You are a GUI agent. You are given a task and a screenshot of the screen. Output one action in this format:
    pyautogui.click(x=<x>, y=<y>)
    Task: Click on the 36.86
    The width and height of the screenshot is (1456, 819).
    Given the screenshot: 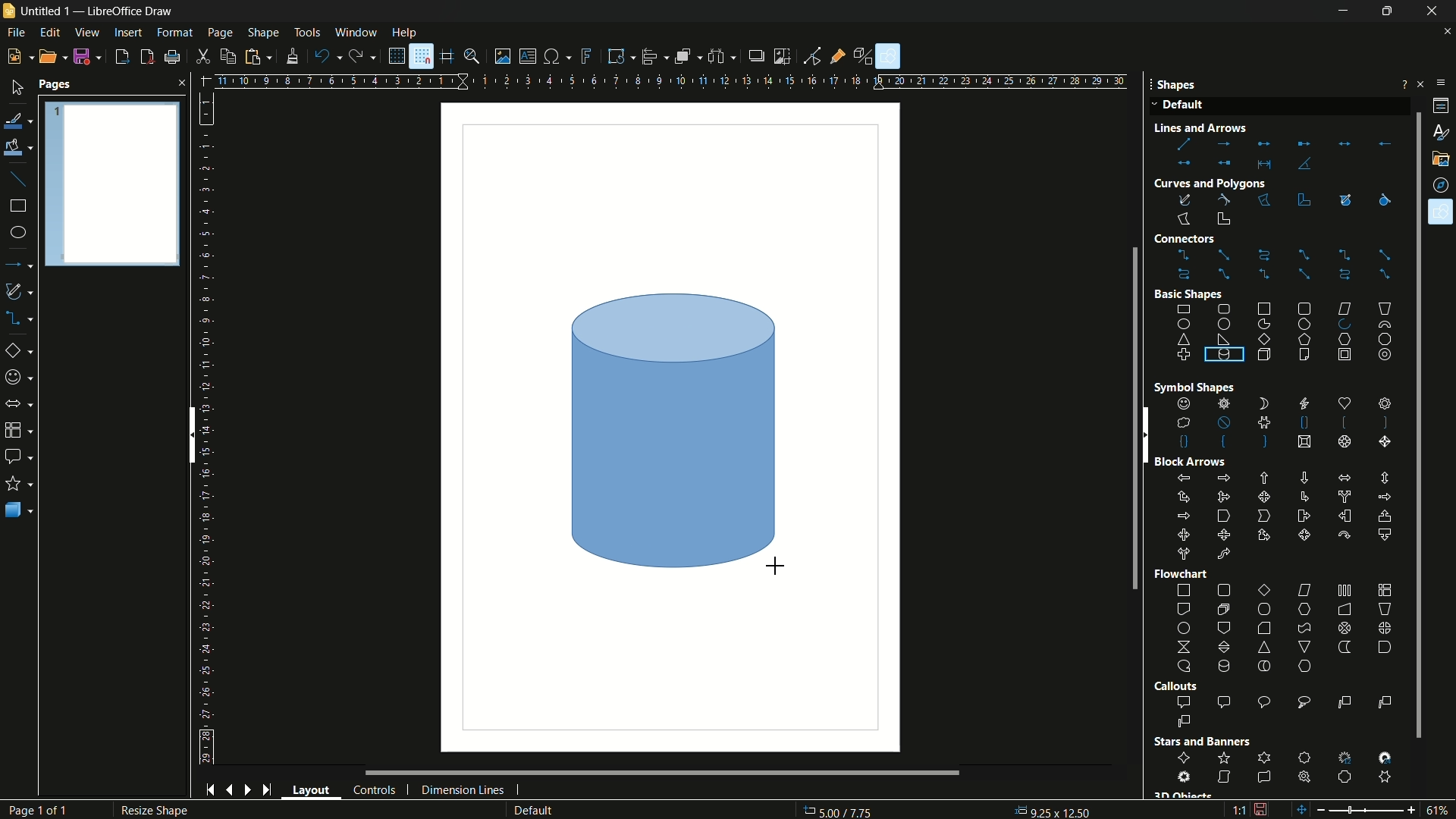 What is the action you would take?
    pyautogui.click(x=848, y=811)
    